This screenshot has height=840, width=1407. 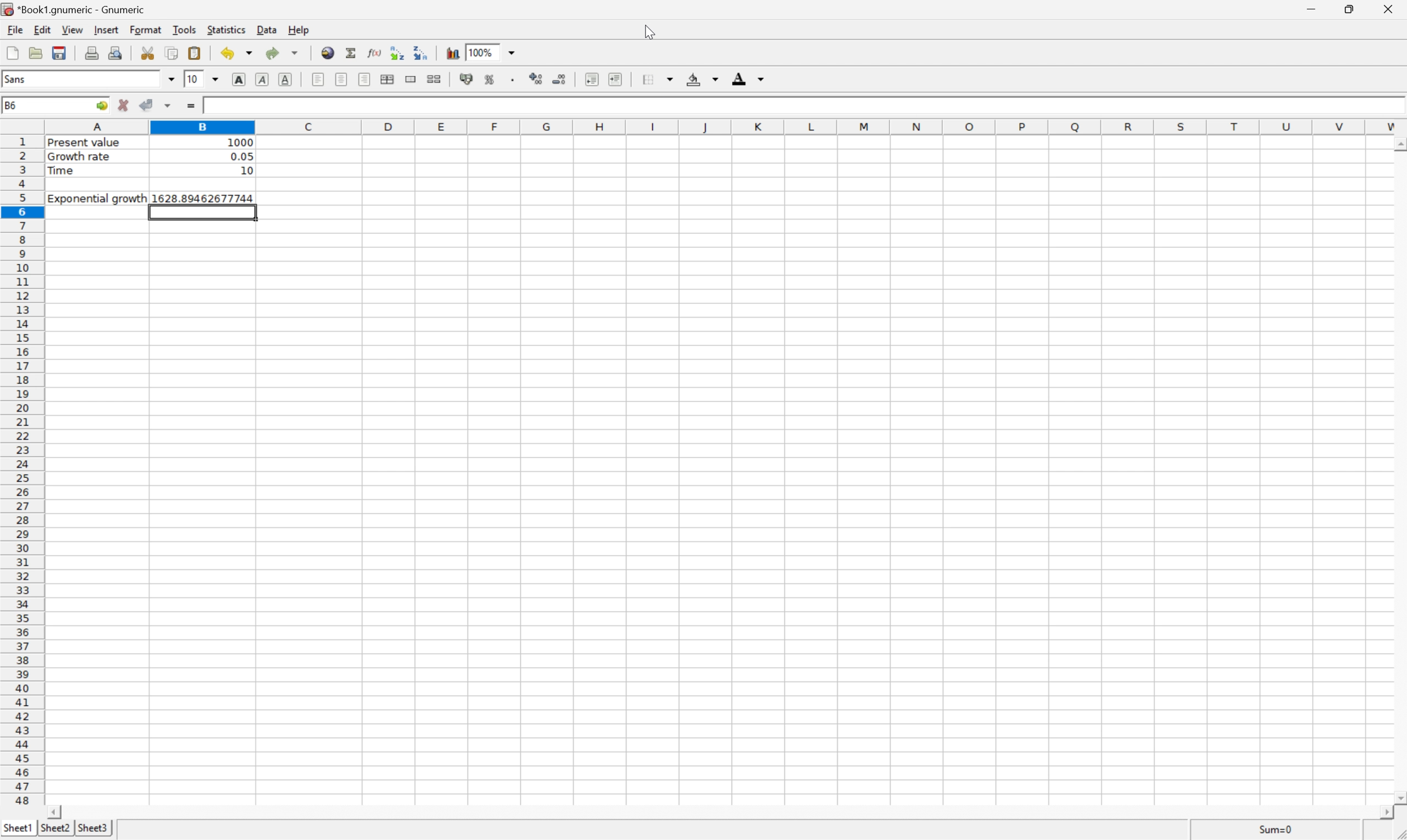 I want to click on Save current workbook, so click(x=61, y=50).